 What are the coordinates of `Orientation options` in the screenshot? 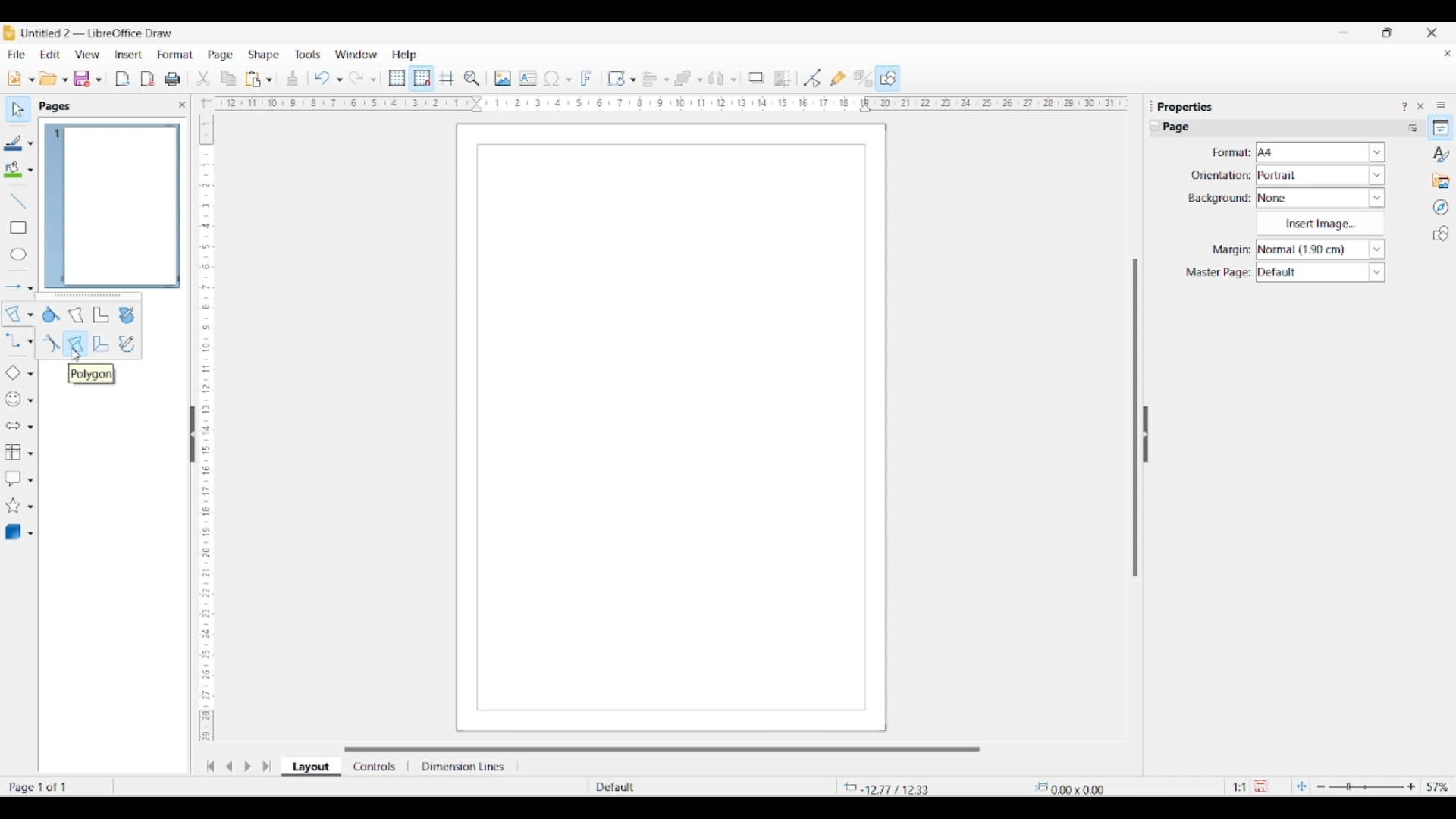 It's located at (1321, 174).